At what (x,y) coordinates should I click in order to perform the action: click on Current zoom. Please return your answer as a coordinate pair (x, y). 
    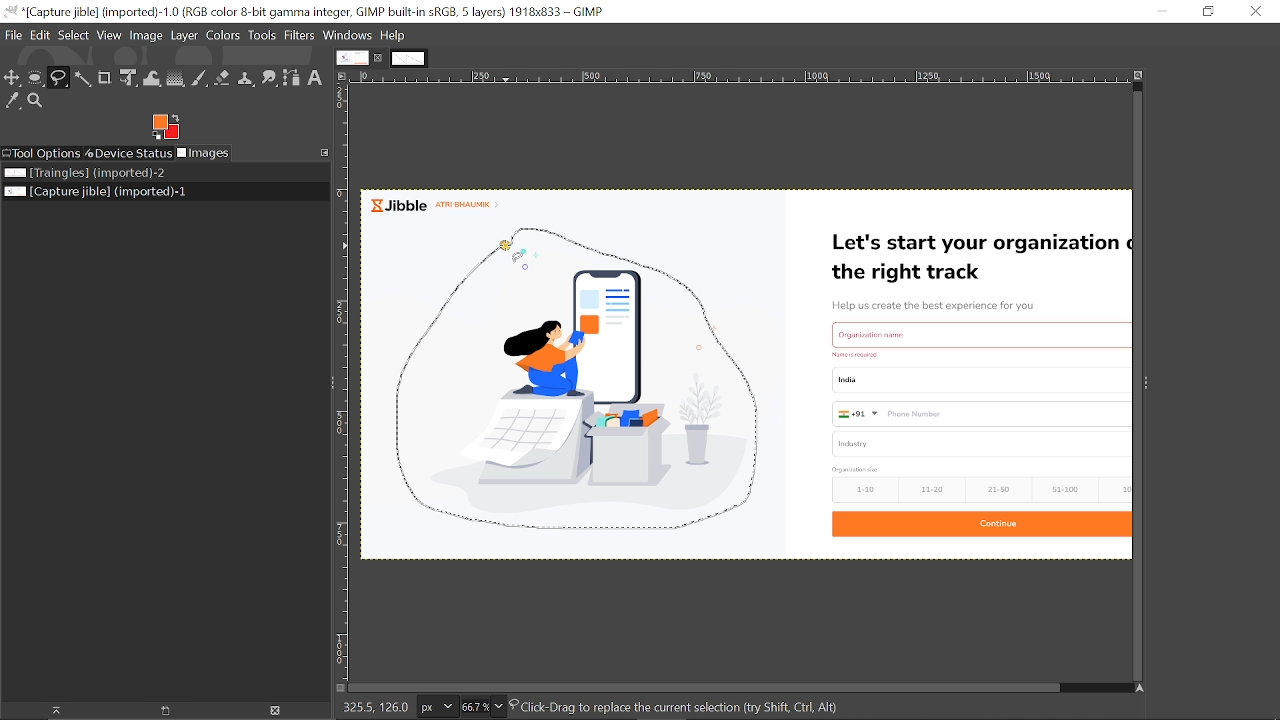
    Looking at the image, I should click on (473, 707).